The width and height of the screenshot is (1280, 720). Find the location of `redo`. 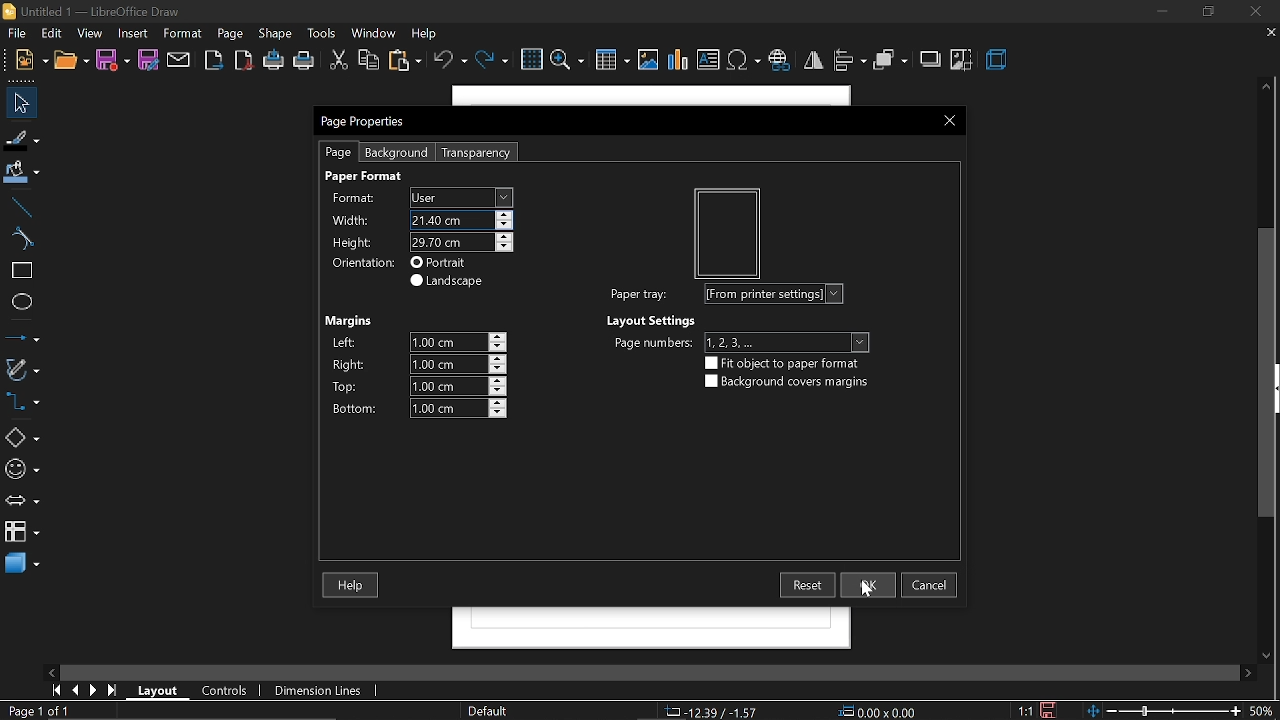

redo is located at coordinates (494, 62).